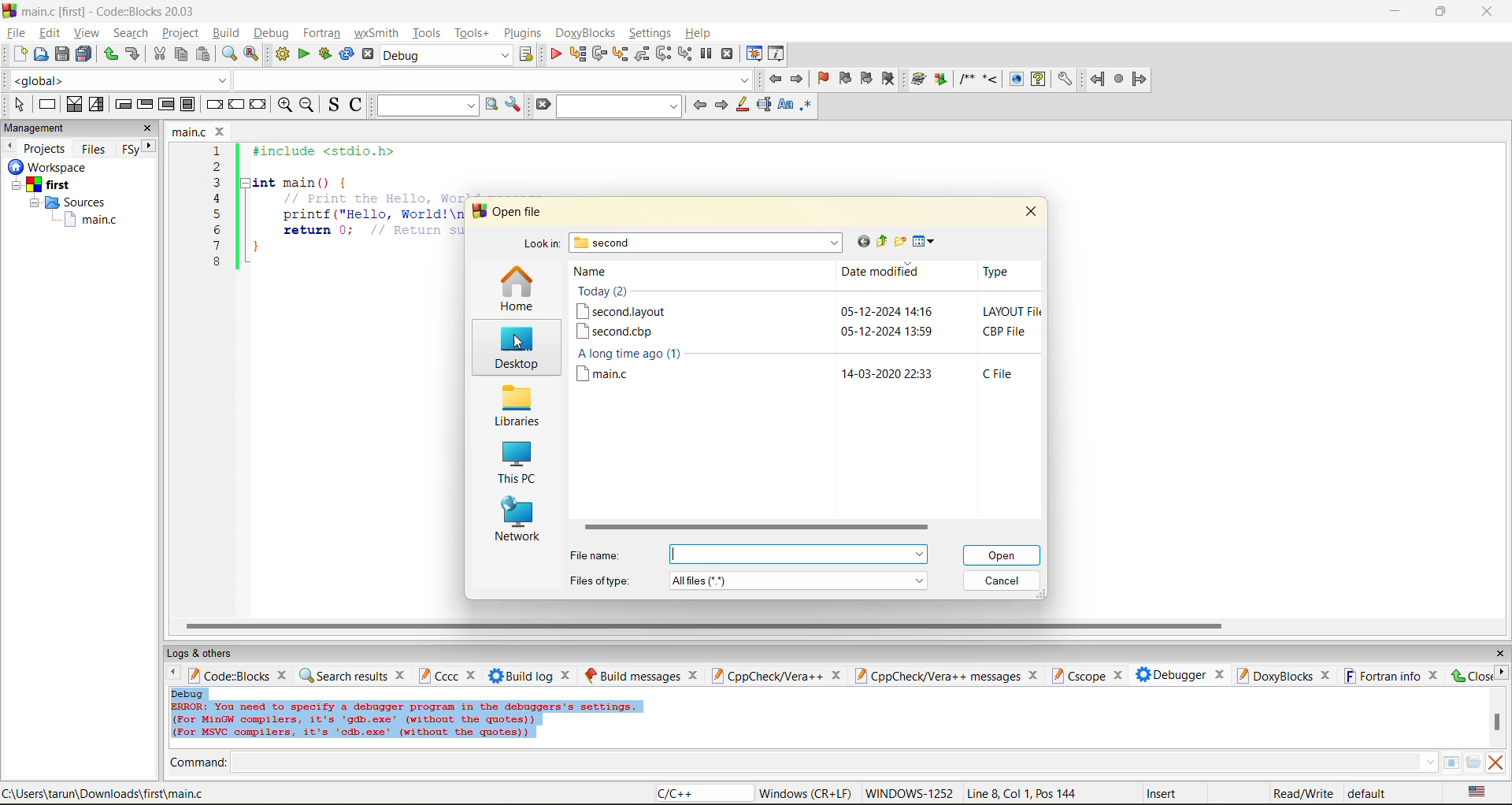 The height and width of the screenshot is (805, 1512). I want to click on libraries, so click(515, 406).